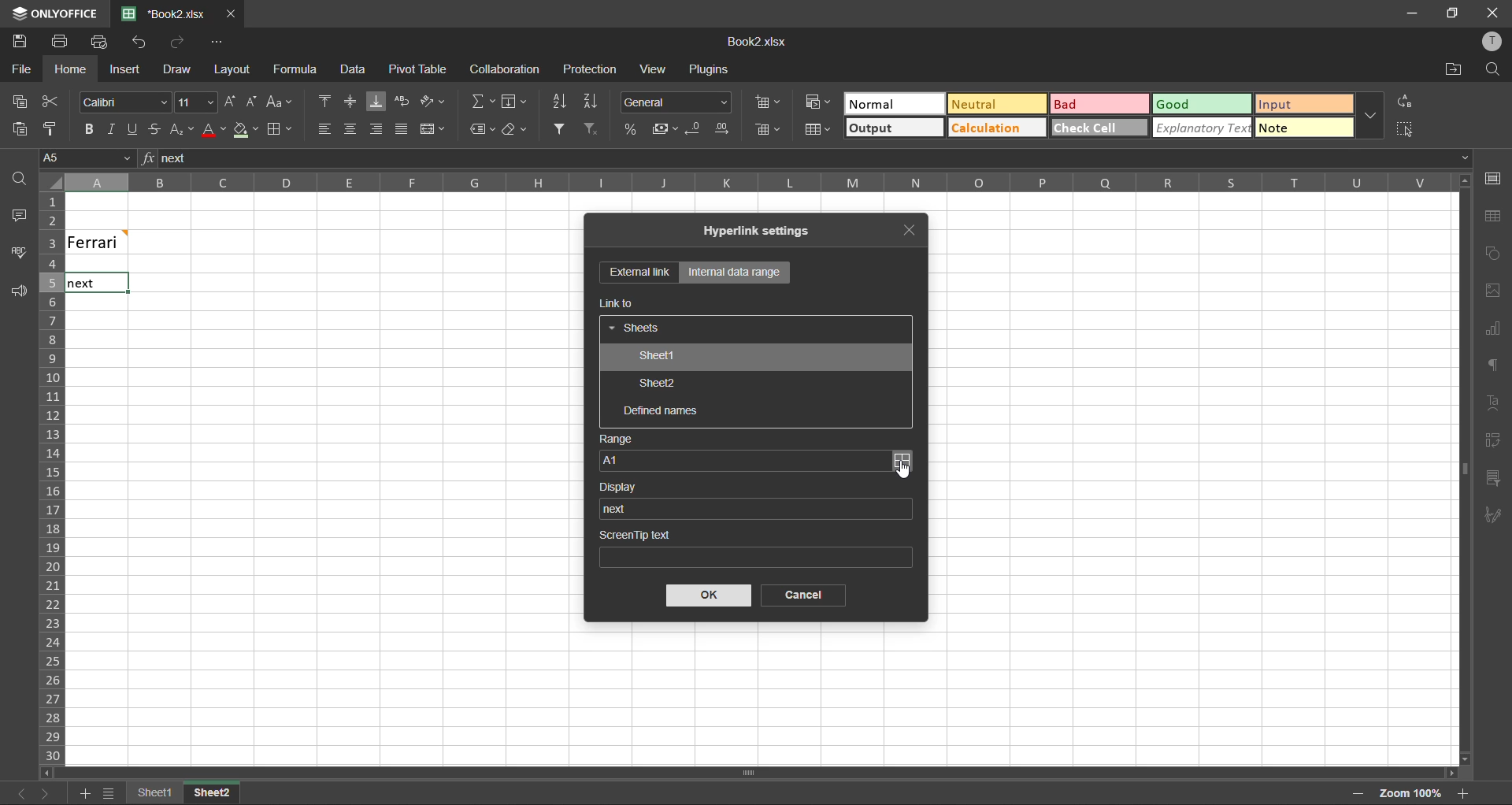 This screenshot has width=1512, height=805. What do you see at coordinates (658, 385) in the screenshot?
I see `sheet2` at bounding box center [658, 385].